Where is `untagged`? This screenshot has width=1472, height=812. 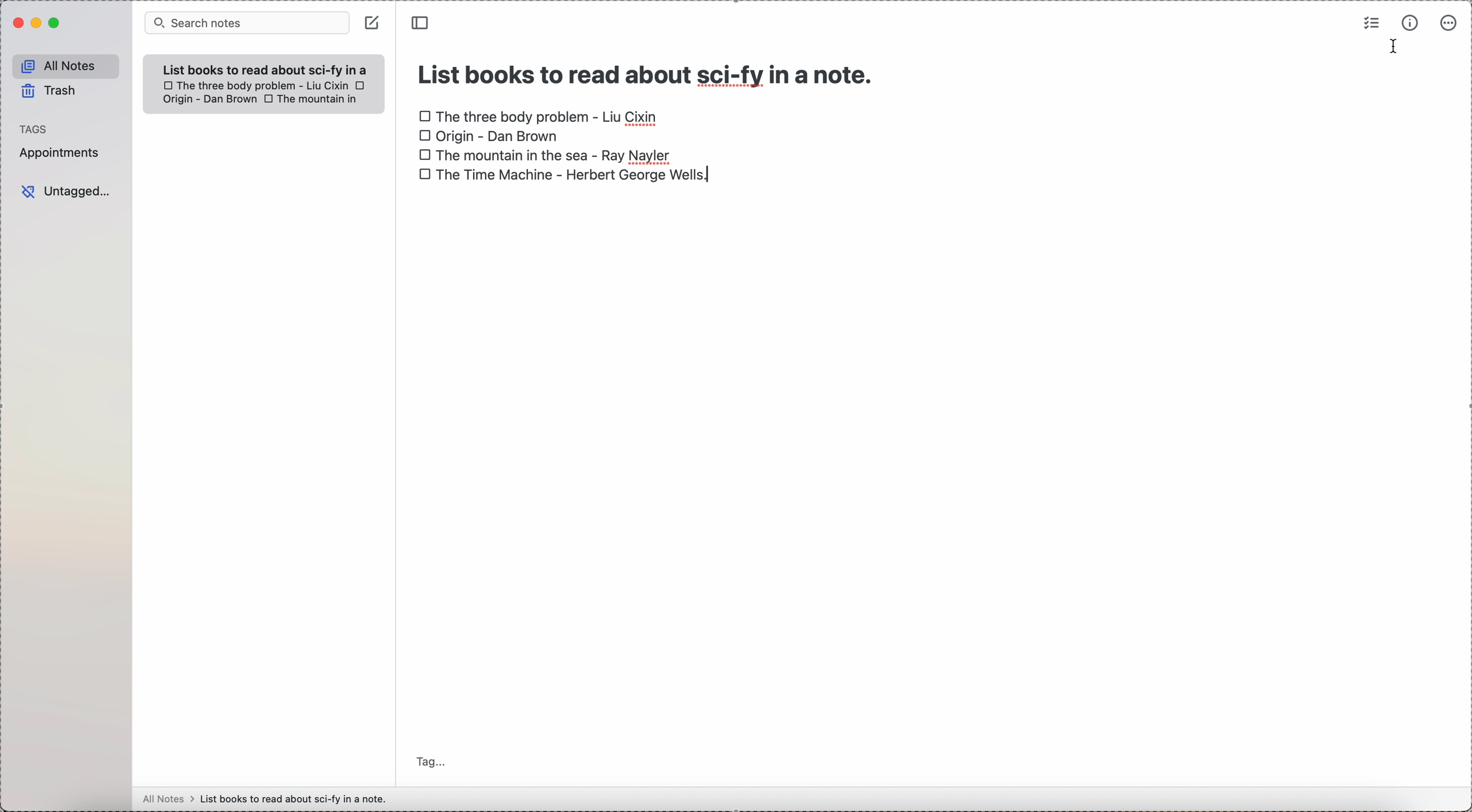
untagged is located at coordinates (66, 191).